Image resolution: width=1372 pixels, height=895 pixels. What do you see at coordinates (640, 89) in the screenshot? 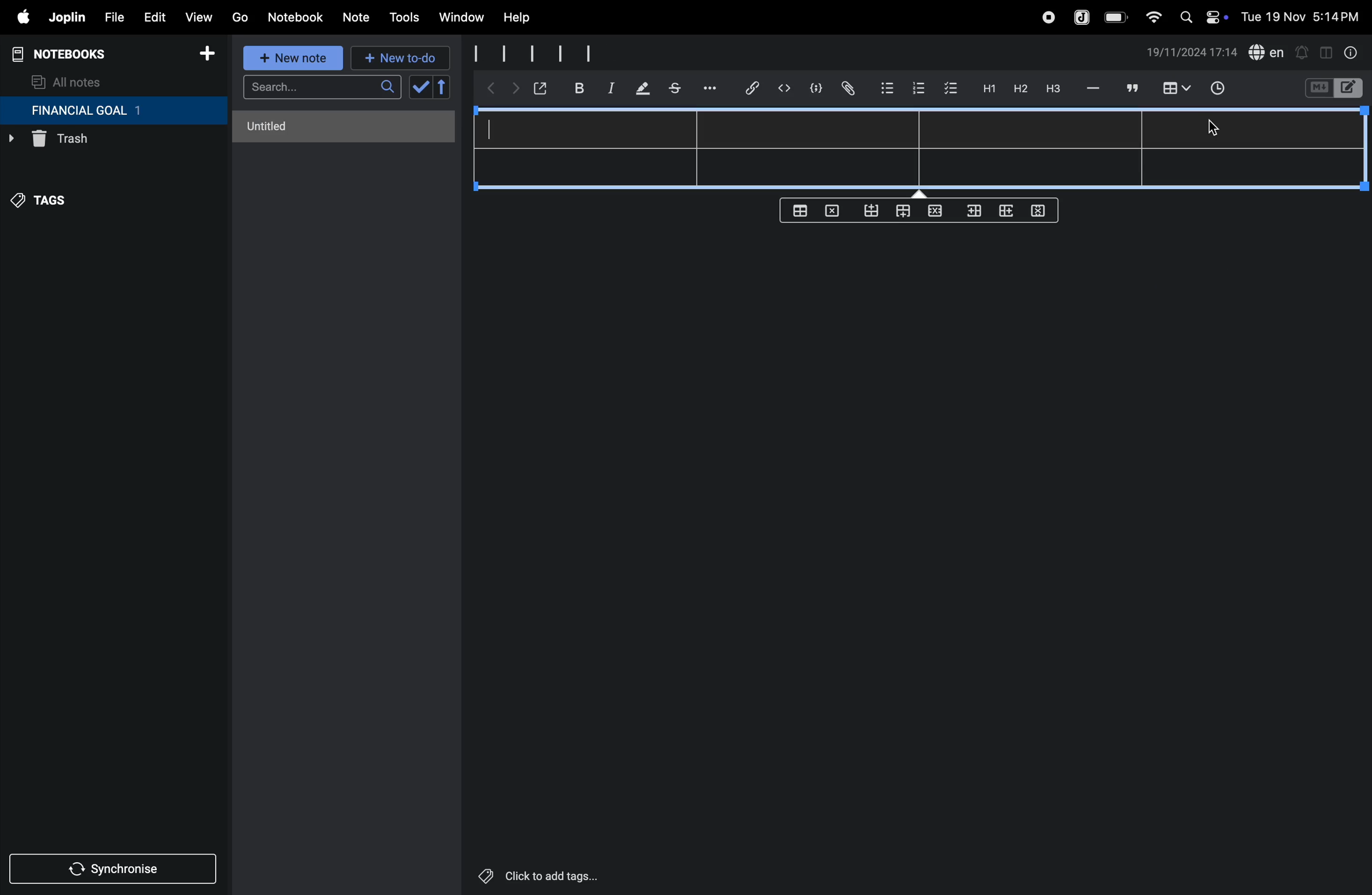
I see `mark` at bounding box center [640, 89].